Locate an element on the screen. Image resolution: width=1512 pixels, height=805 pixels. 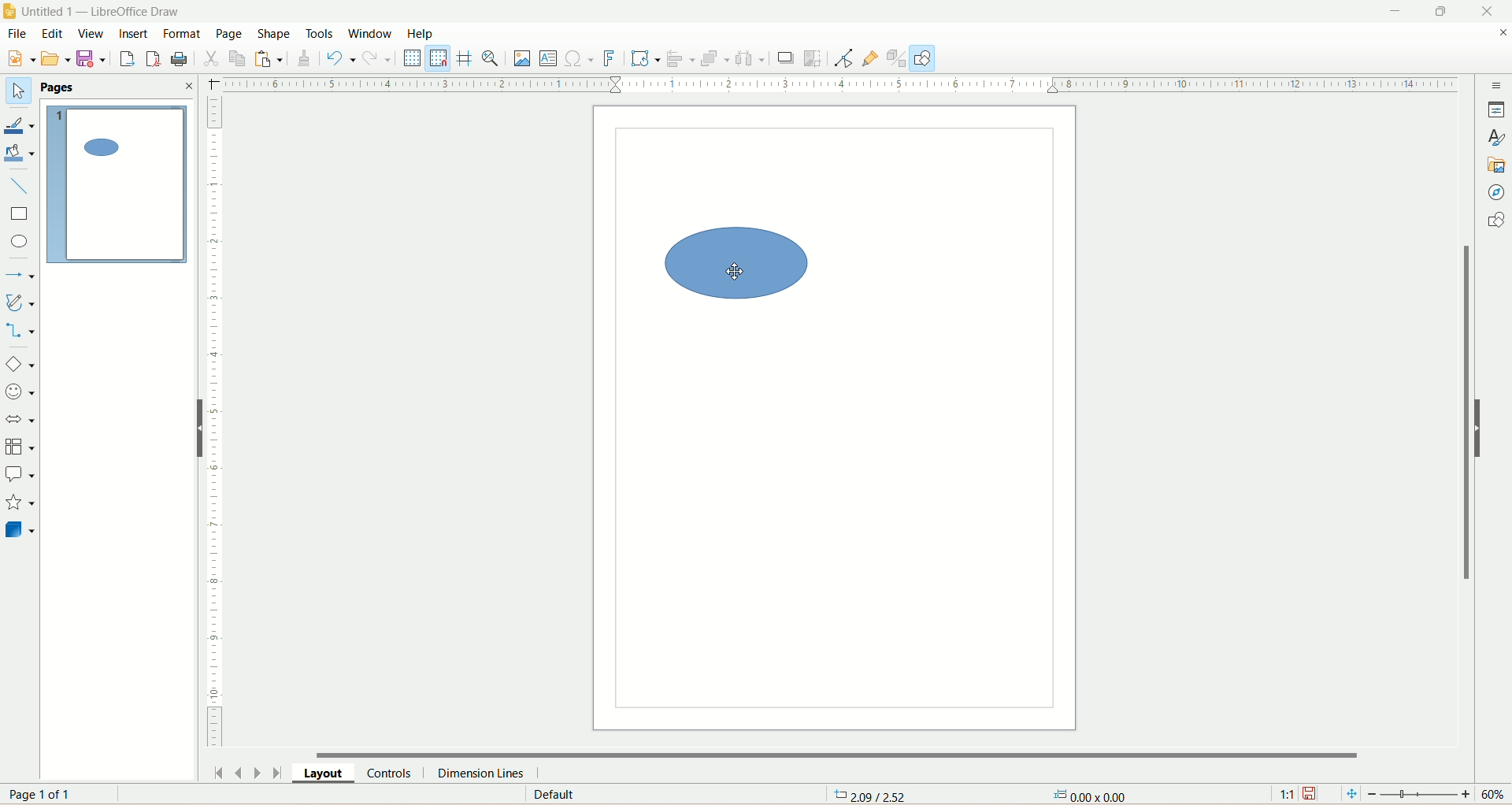
transform is located at coordinates (642, 59).